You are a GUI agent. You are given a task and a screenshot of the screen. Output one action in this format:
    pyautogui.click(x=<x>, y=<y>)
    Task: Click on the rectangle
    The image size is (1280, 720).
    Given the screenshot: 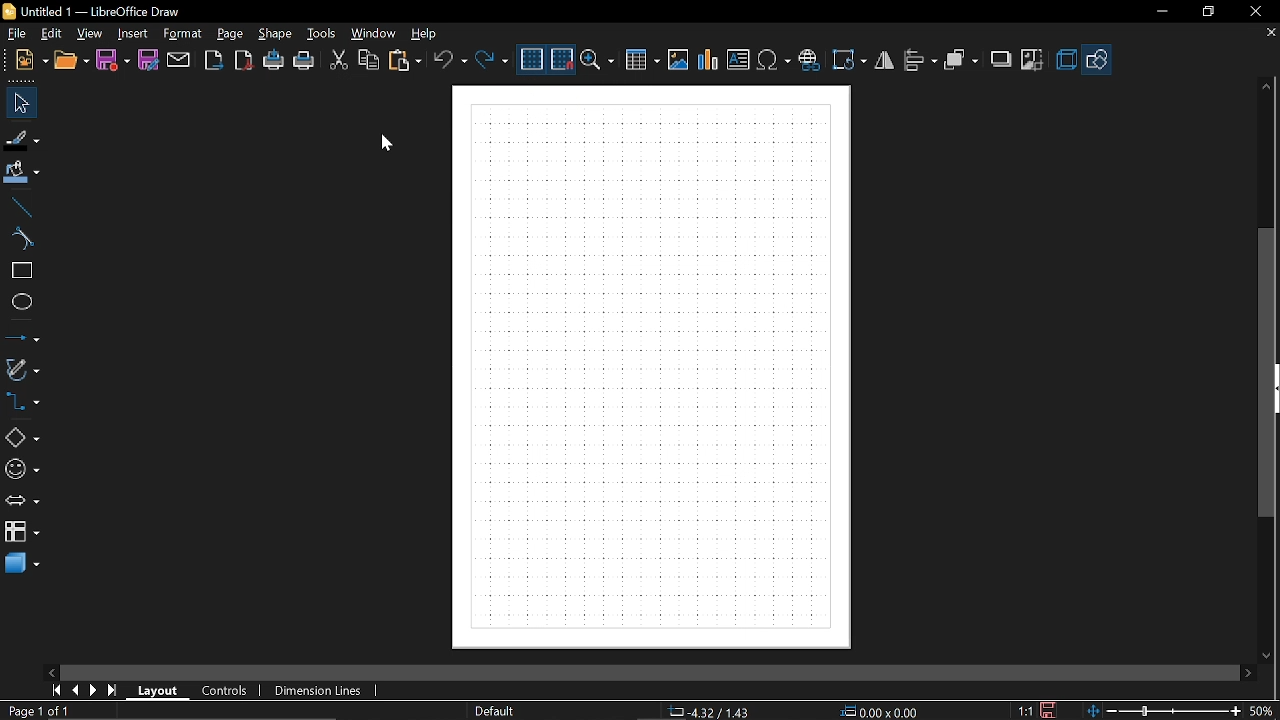 What is the action you would take?
    pyautogui.click(x=21, y=271)
    